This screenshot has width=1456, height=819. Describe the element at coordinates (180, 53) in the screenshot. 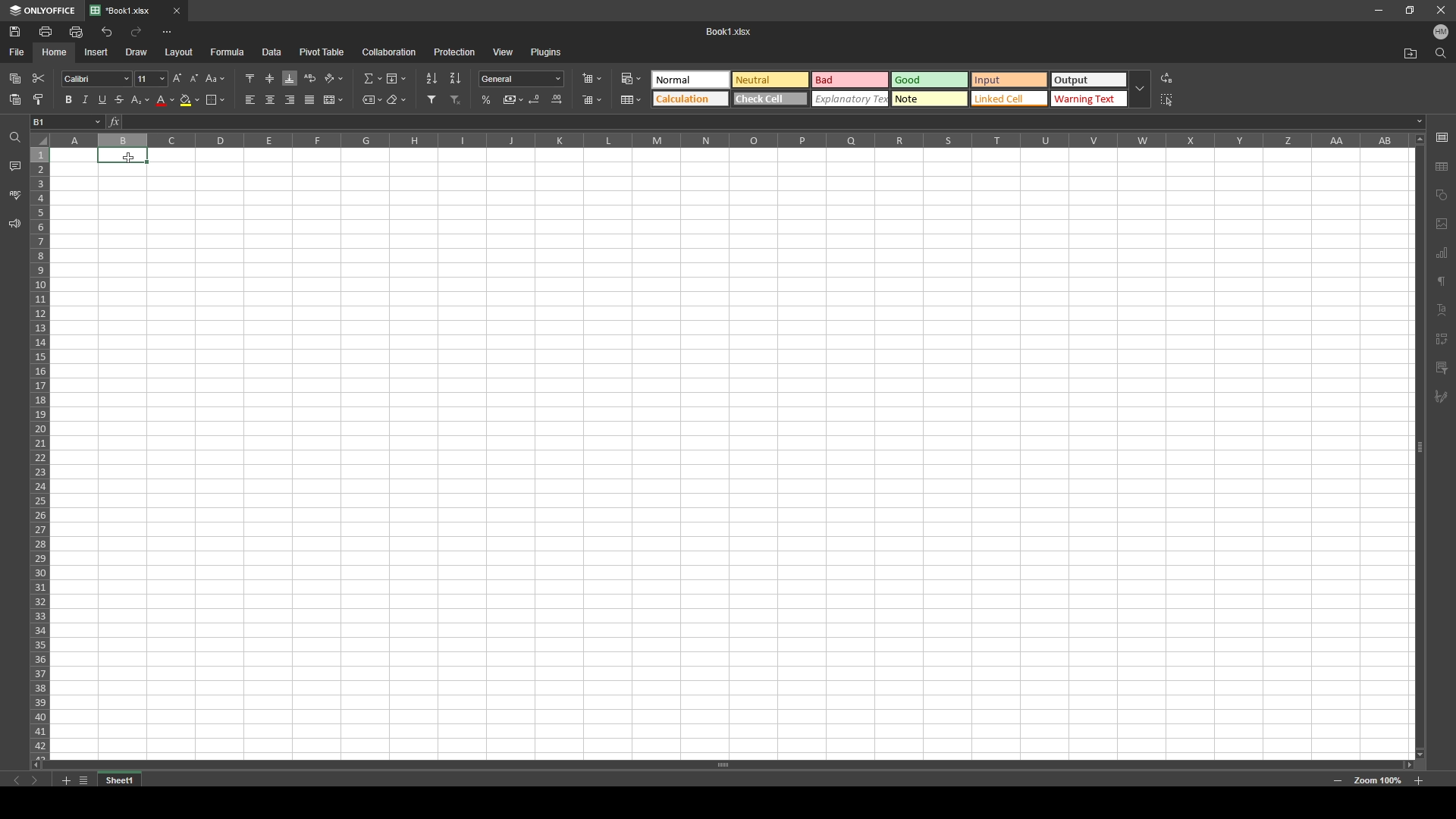

I see `layout` at that location.